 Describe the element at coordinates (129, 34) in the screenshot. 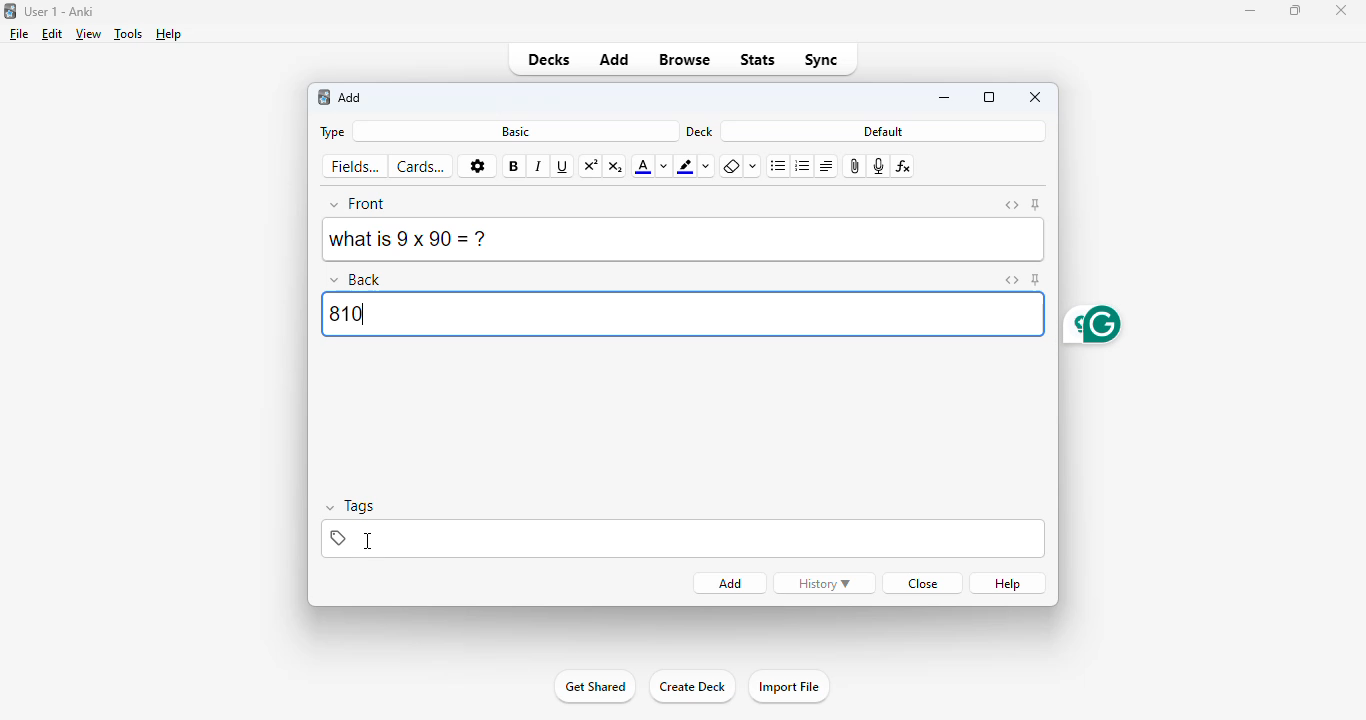

I see `tools` at that location.